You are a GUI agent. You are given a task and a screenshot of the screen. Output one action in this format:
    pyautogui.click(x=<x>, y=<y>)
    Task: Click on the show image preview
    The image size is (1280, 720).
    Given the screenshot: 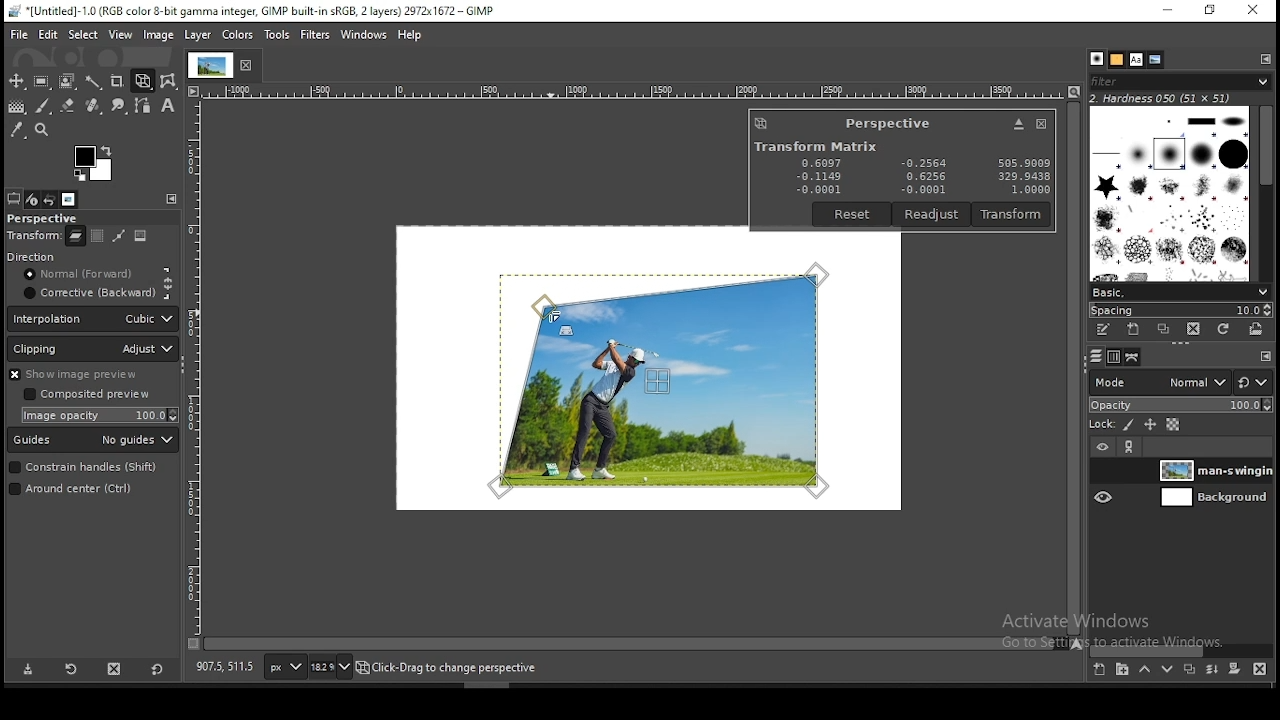 What is the action you would take?
    pyautogui.click(x=88, y=374)
    